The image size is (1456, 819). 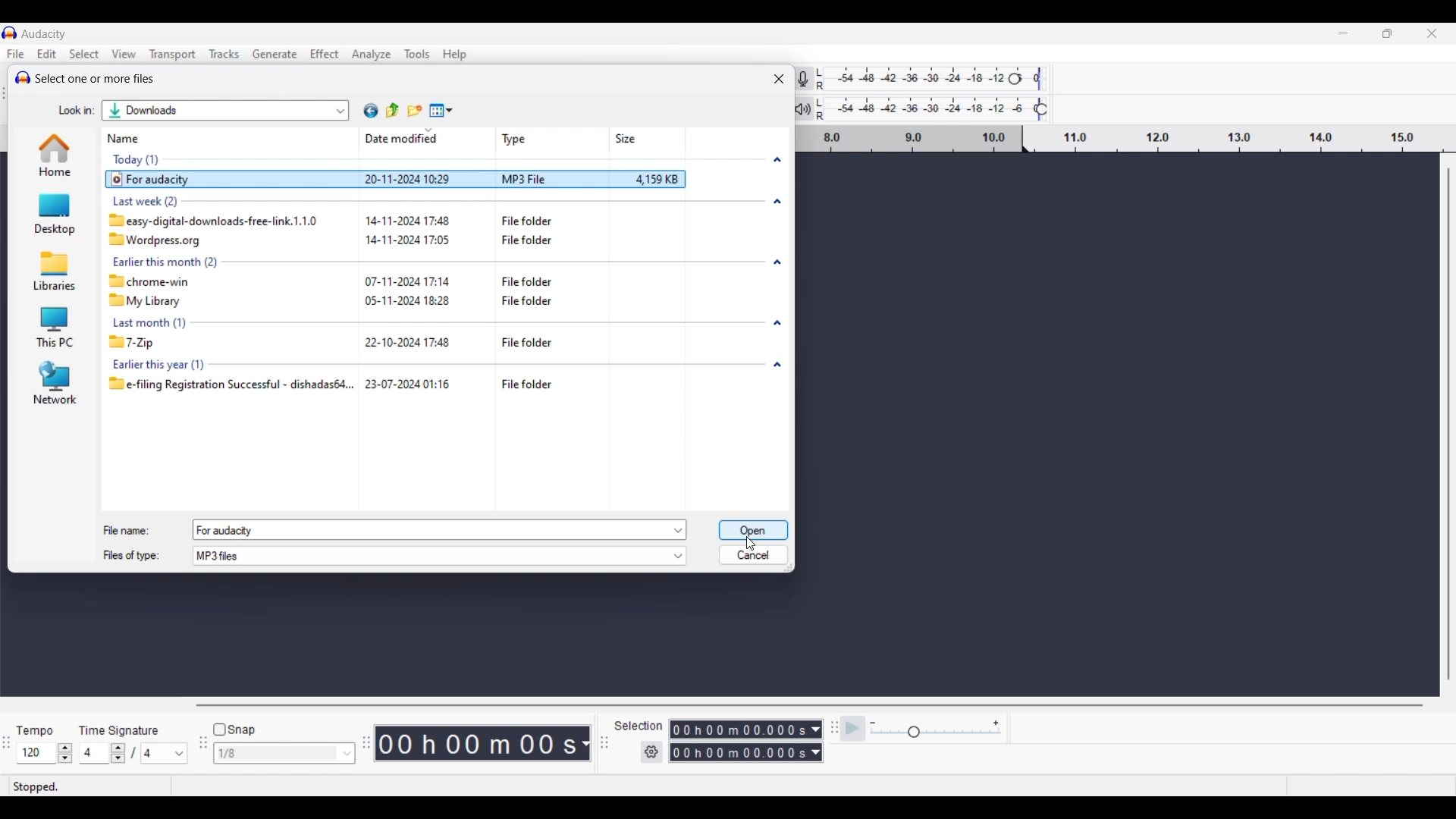 What do you see at coordinates (390, 281) in the screenshot?
I see `chrome-win 07-11-2024 17:14 File folder` at bounding box center [390, 281].